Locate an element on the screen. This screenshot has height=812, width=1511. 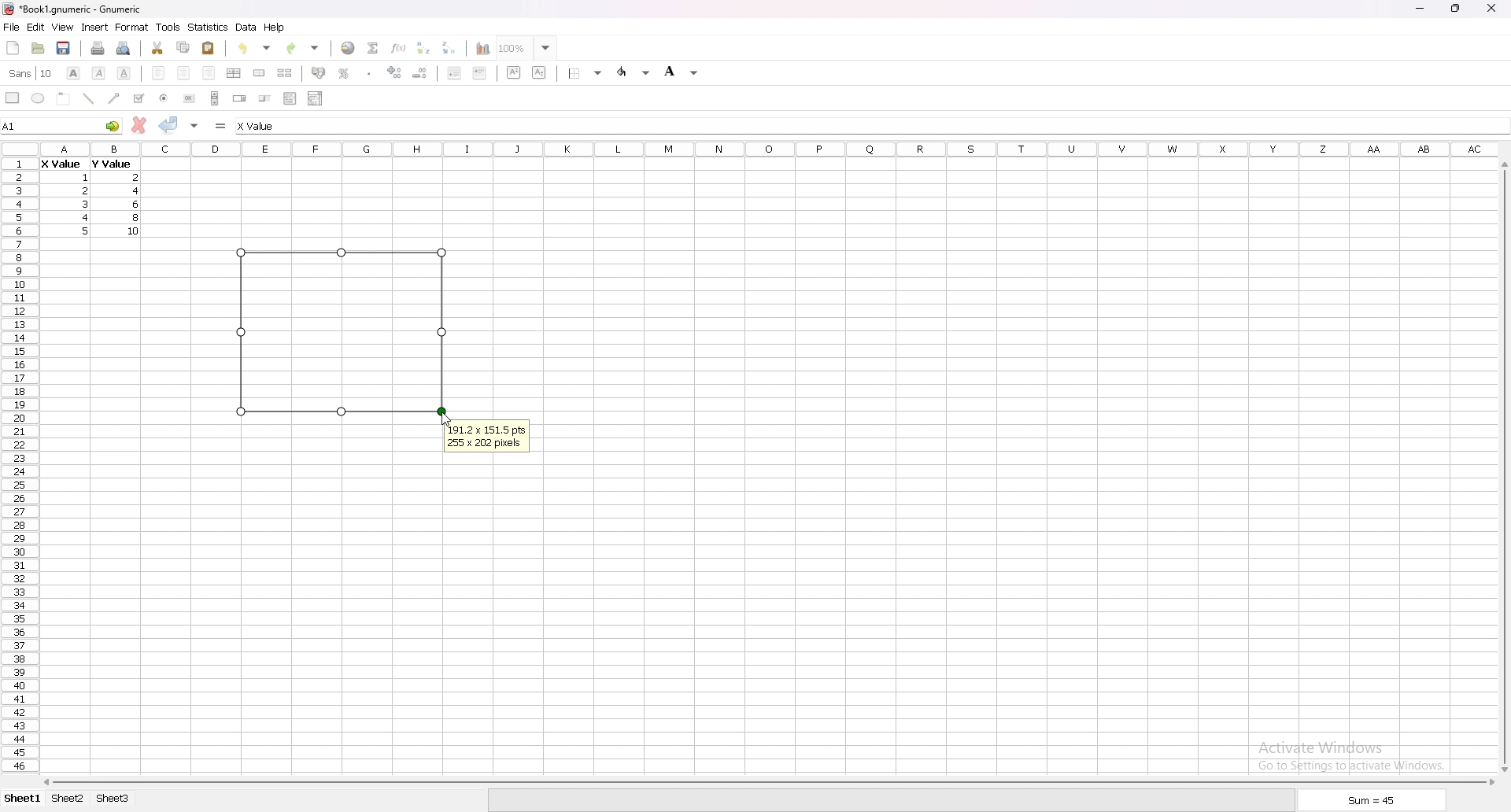
sort descending is located at coordinates (449, 47).